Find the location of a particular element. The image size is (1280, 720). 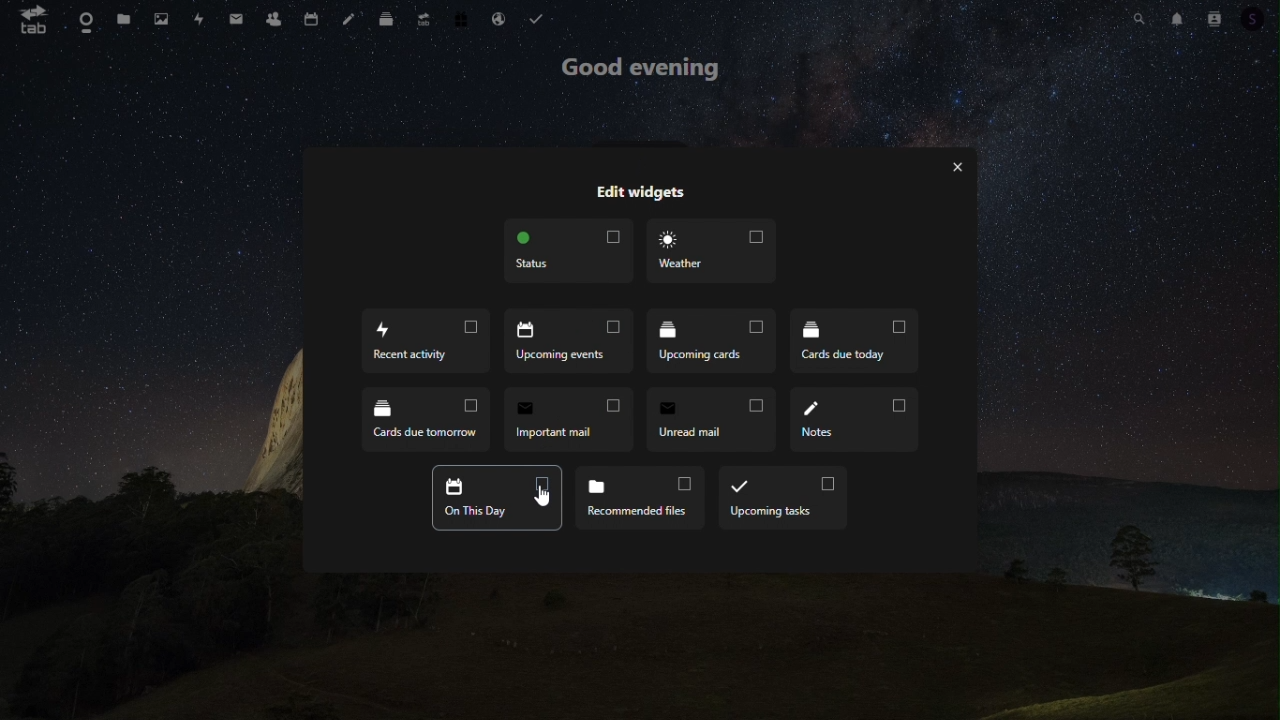

Upcoming tasks is located at coordinates (785, 498).